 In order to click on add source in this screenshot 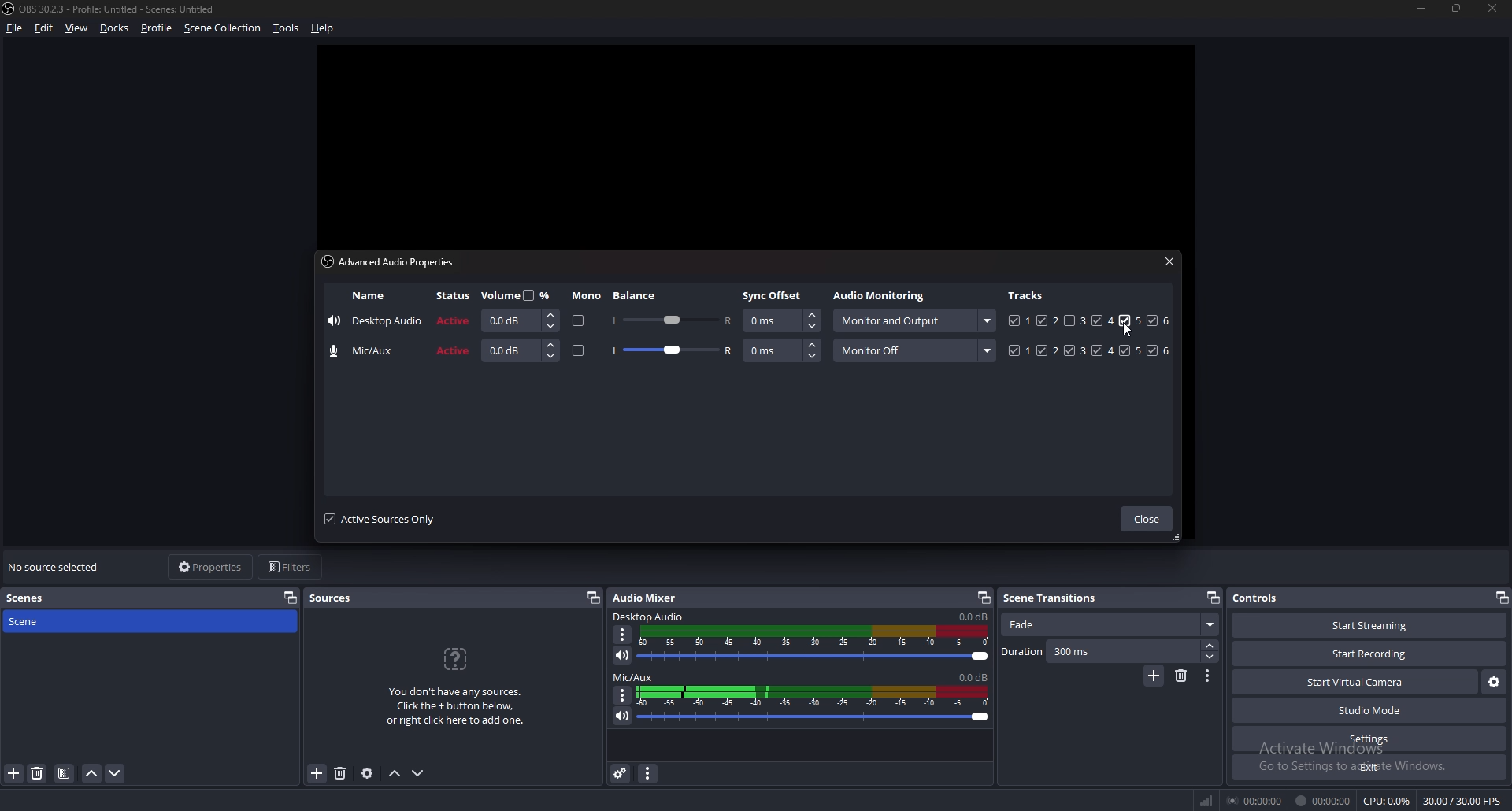, I will do `click(316, 774)`.